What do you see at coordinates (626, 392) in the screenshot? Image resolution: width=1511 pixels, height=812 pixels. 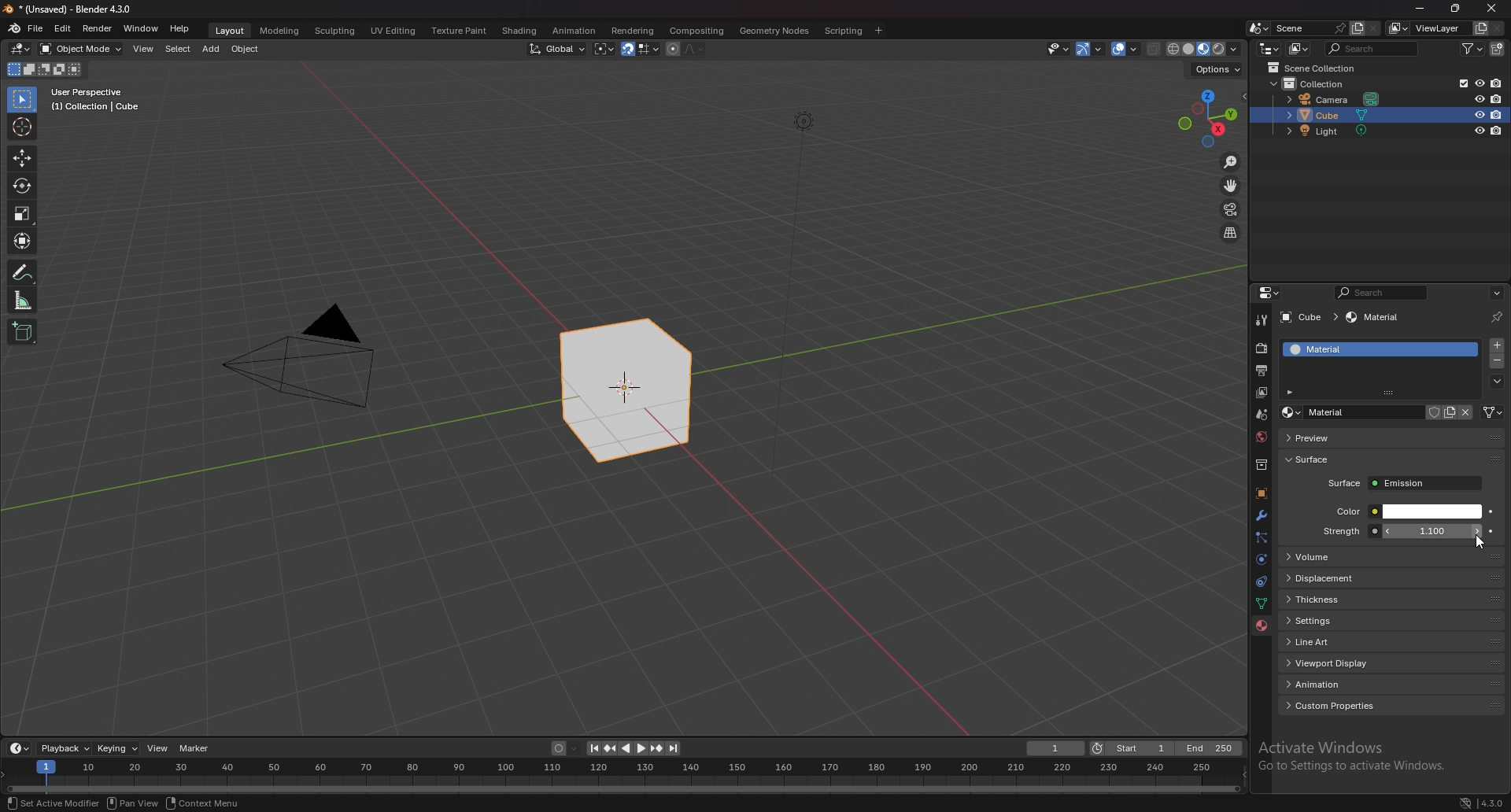 I see `cube` at bounding box center [626, 392].